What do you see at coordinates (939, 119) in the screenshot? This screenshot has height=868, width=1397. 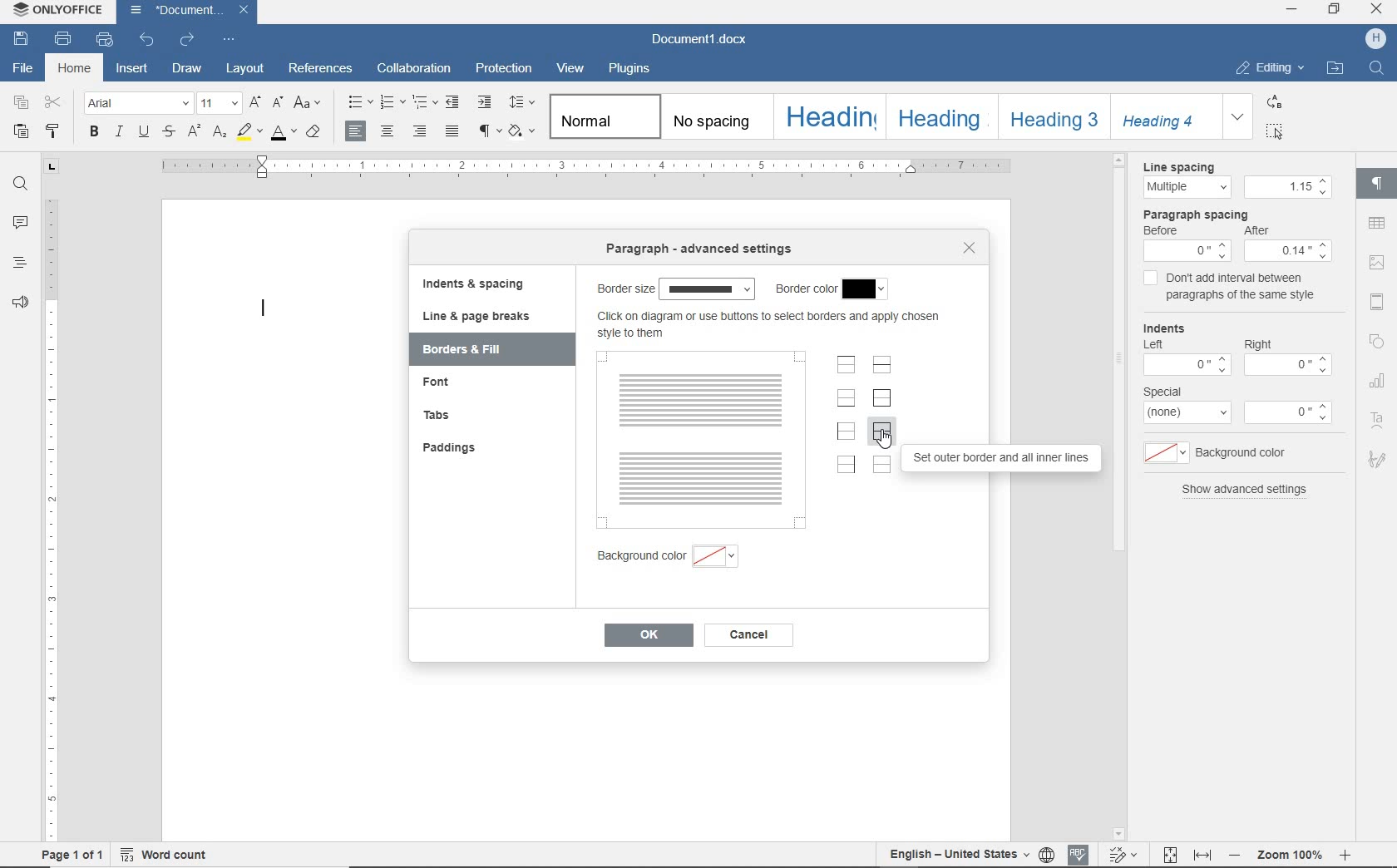 I see `heading2` at bounding box center [939, 119].